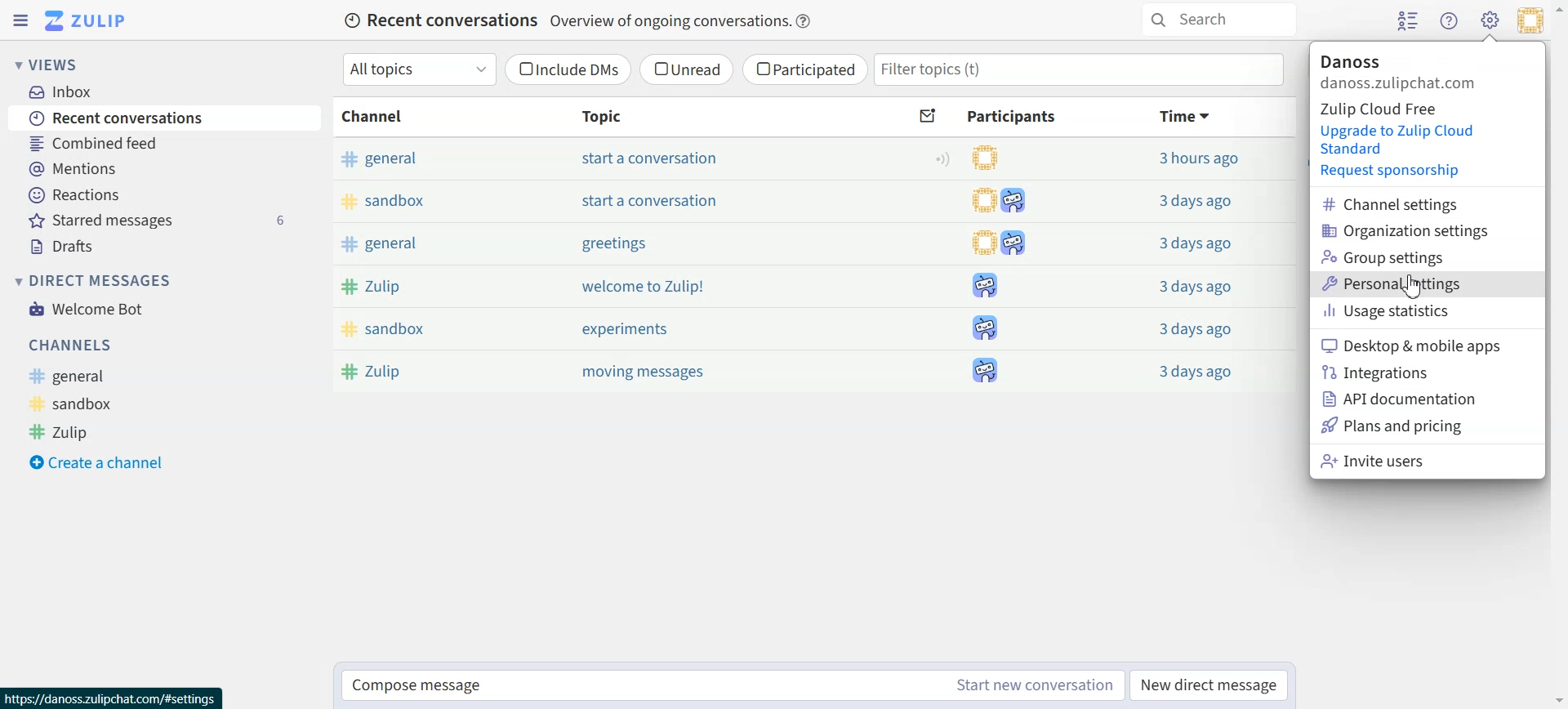  I want to click on New direct message, so click(1209, 685).